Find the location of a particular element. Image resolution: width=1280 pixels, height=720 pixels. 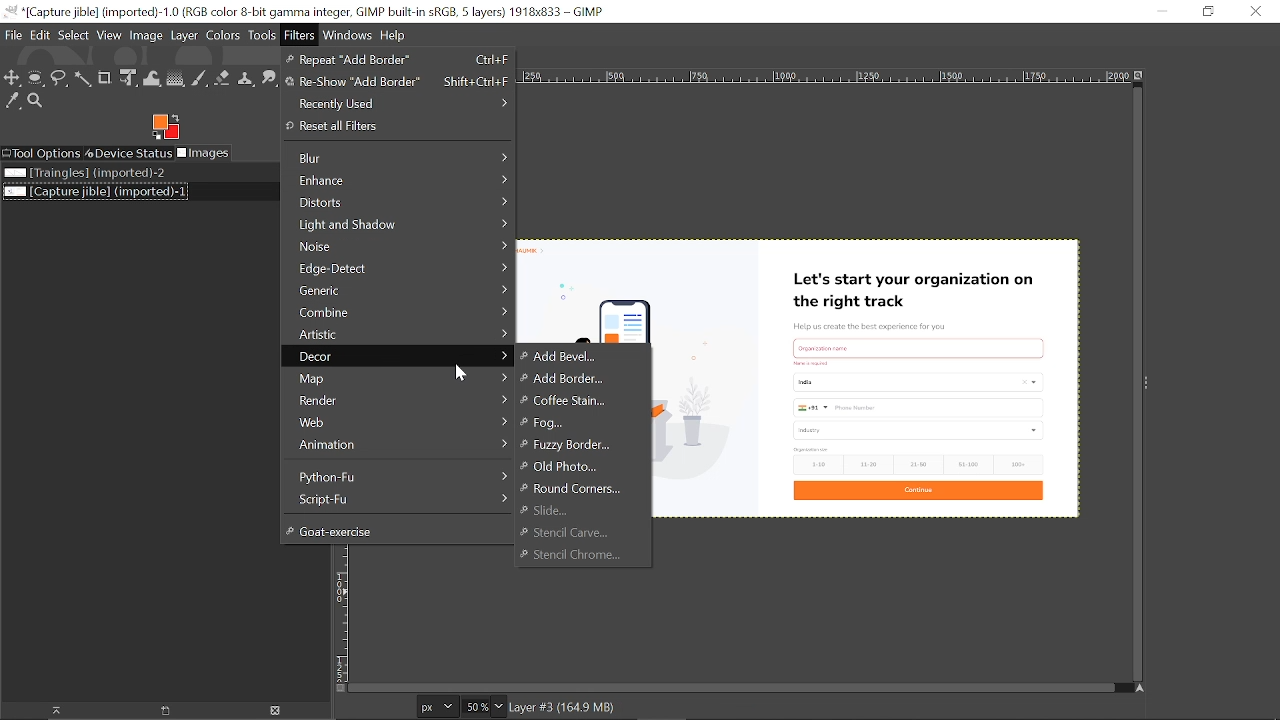

text is located at coordinates (813, 363).